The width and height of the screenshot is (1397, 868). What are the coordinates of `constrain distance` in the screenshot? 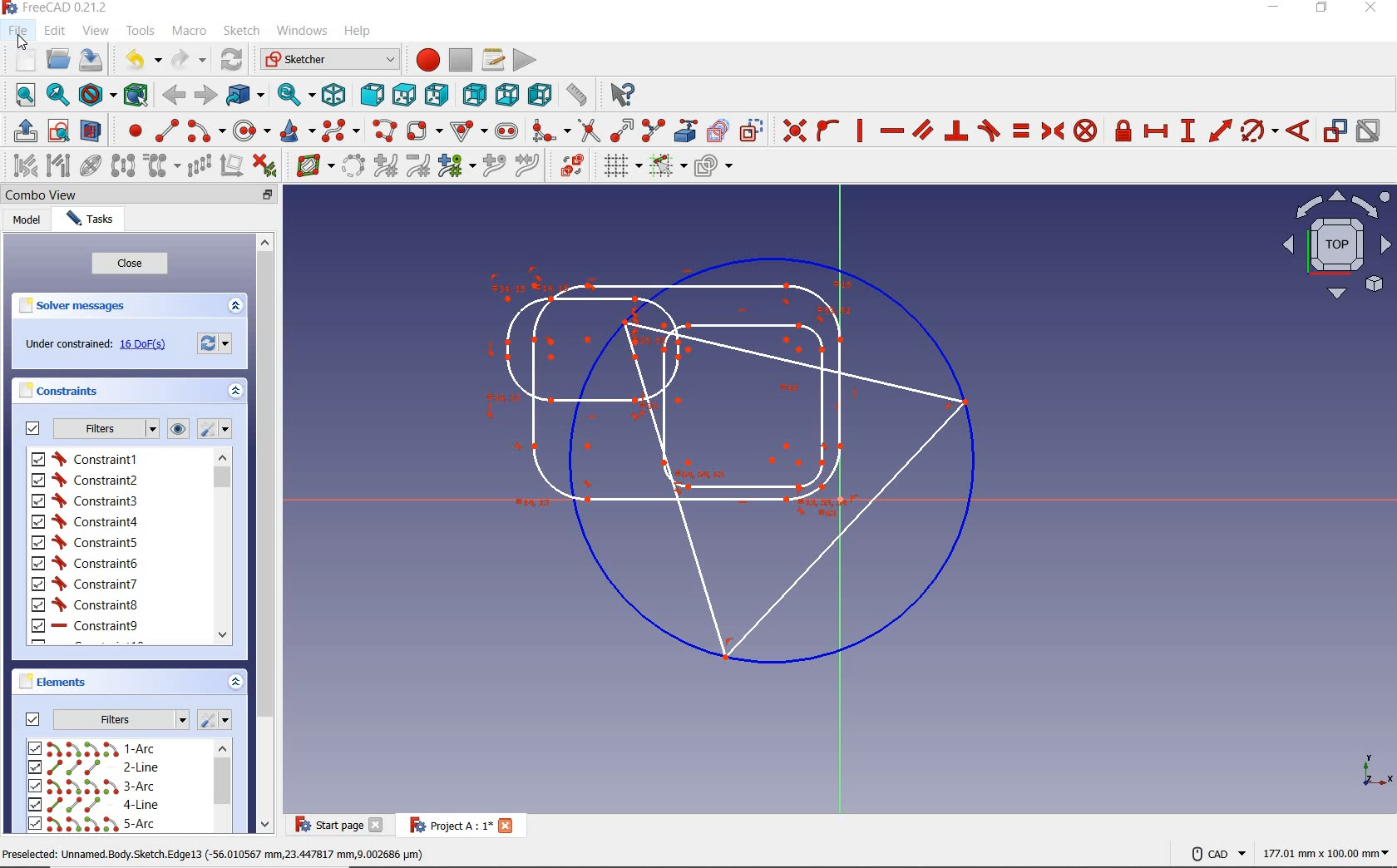 It's located at (1221, 133).